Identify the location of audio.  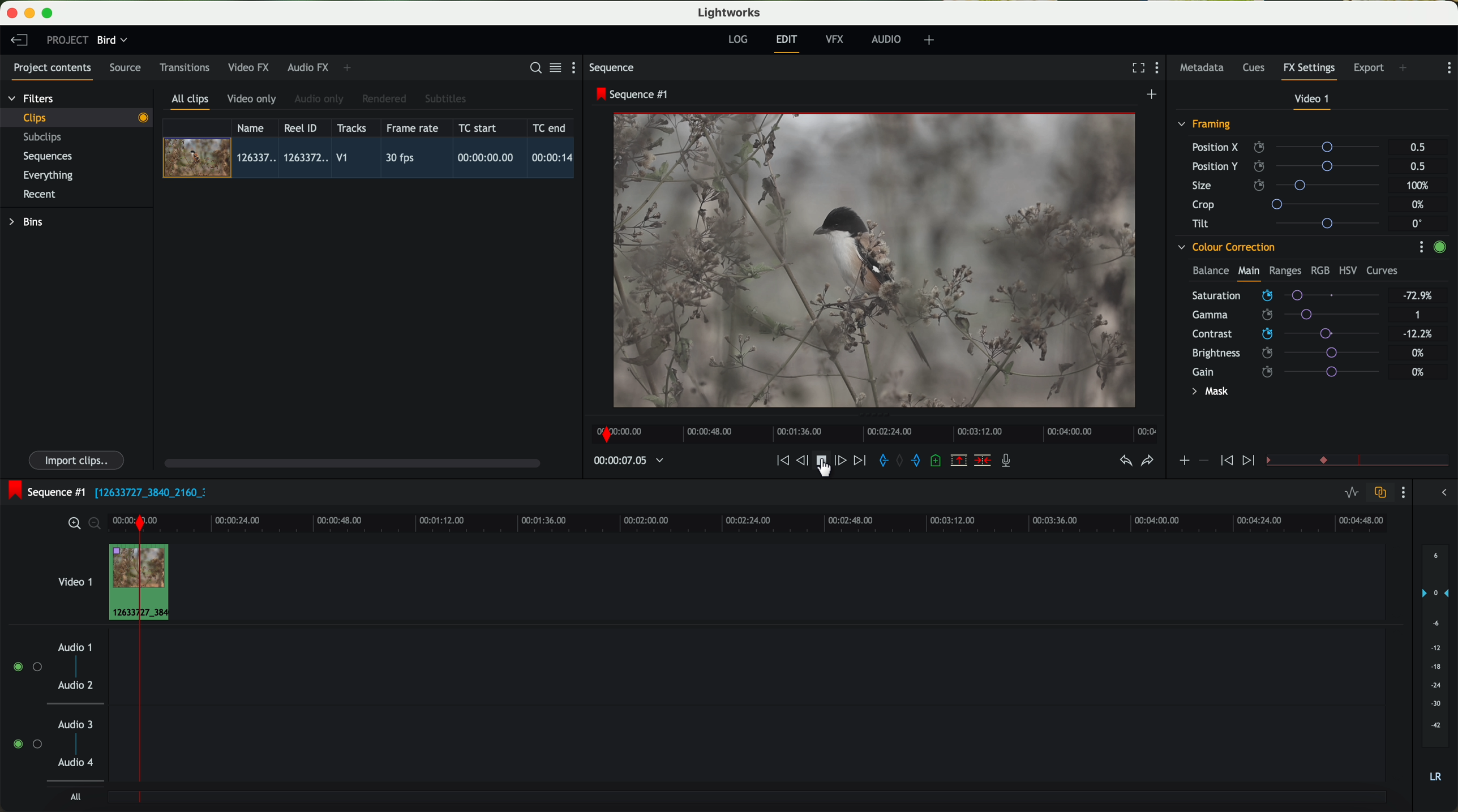
(886, 39).